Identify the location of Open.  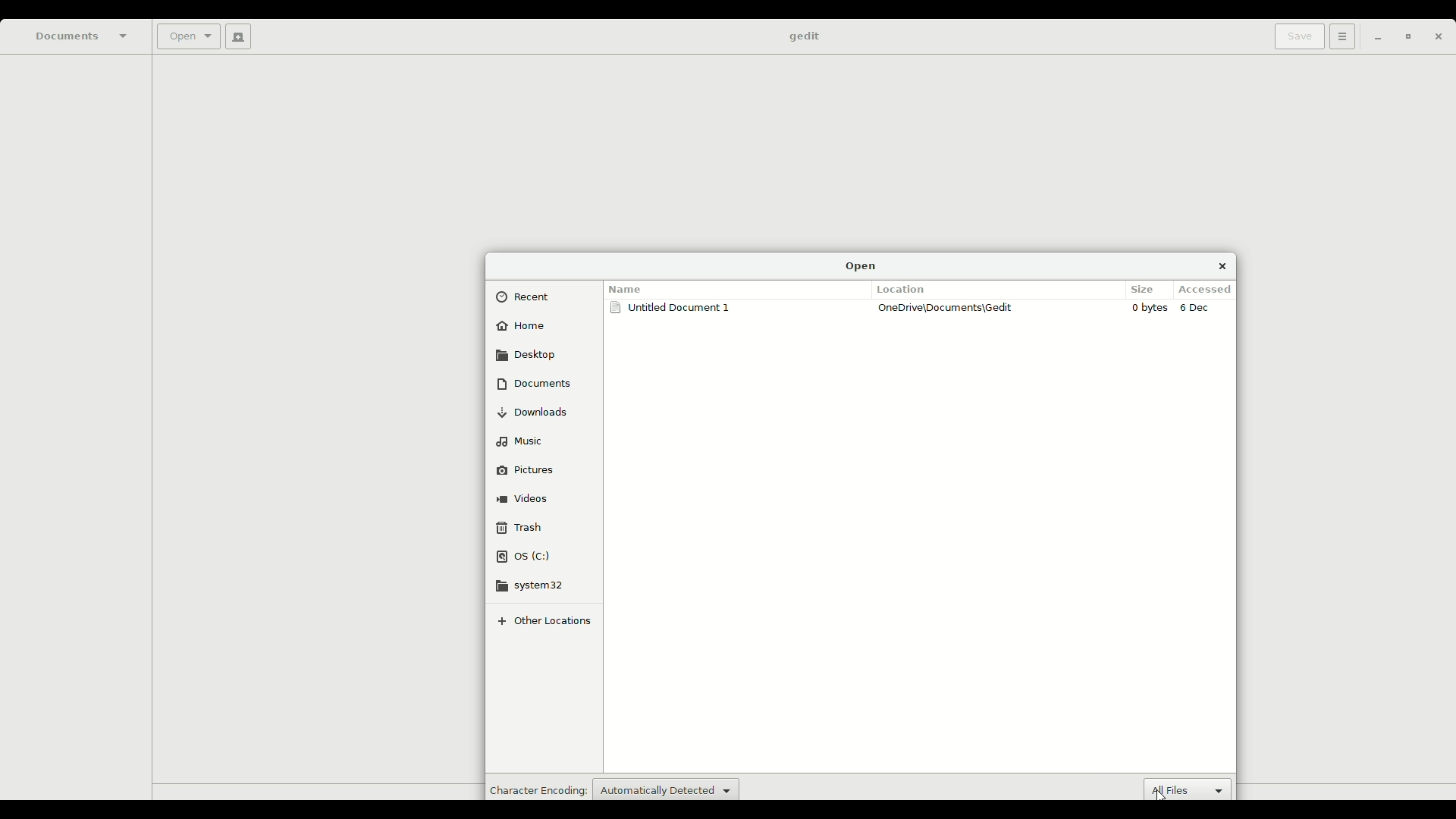
(861, 265).